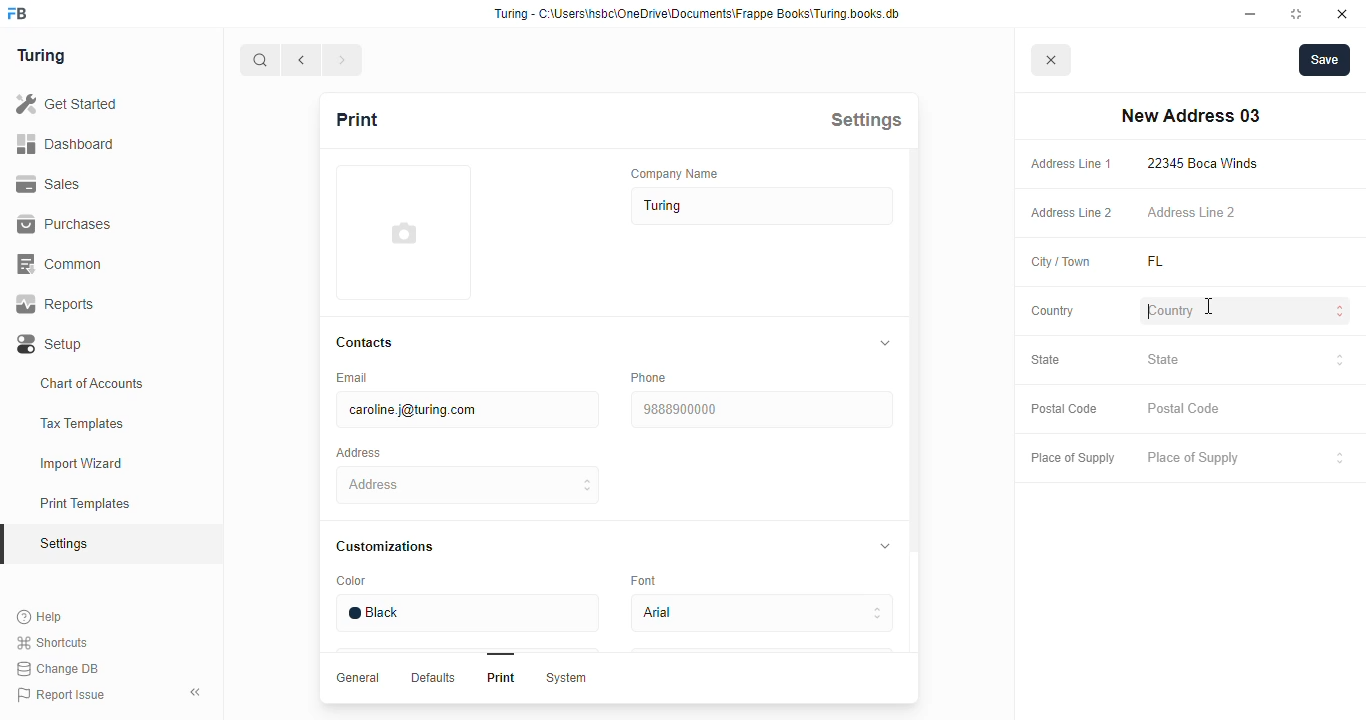 The width and height of the screenshot is (1366, 720). What do you see at coordinates (1052, 61) in the screenshot?
I see `cancel` at bounding box center [1052, 61].